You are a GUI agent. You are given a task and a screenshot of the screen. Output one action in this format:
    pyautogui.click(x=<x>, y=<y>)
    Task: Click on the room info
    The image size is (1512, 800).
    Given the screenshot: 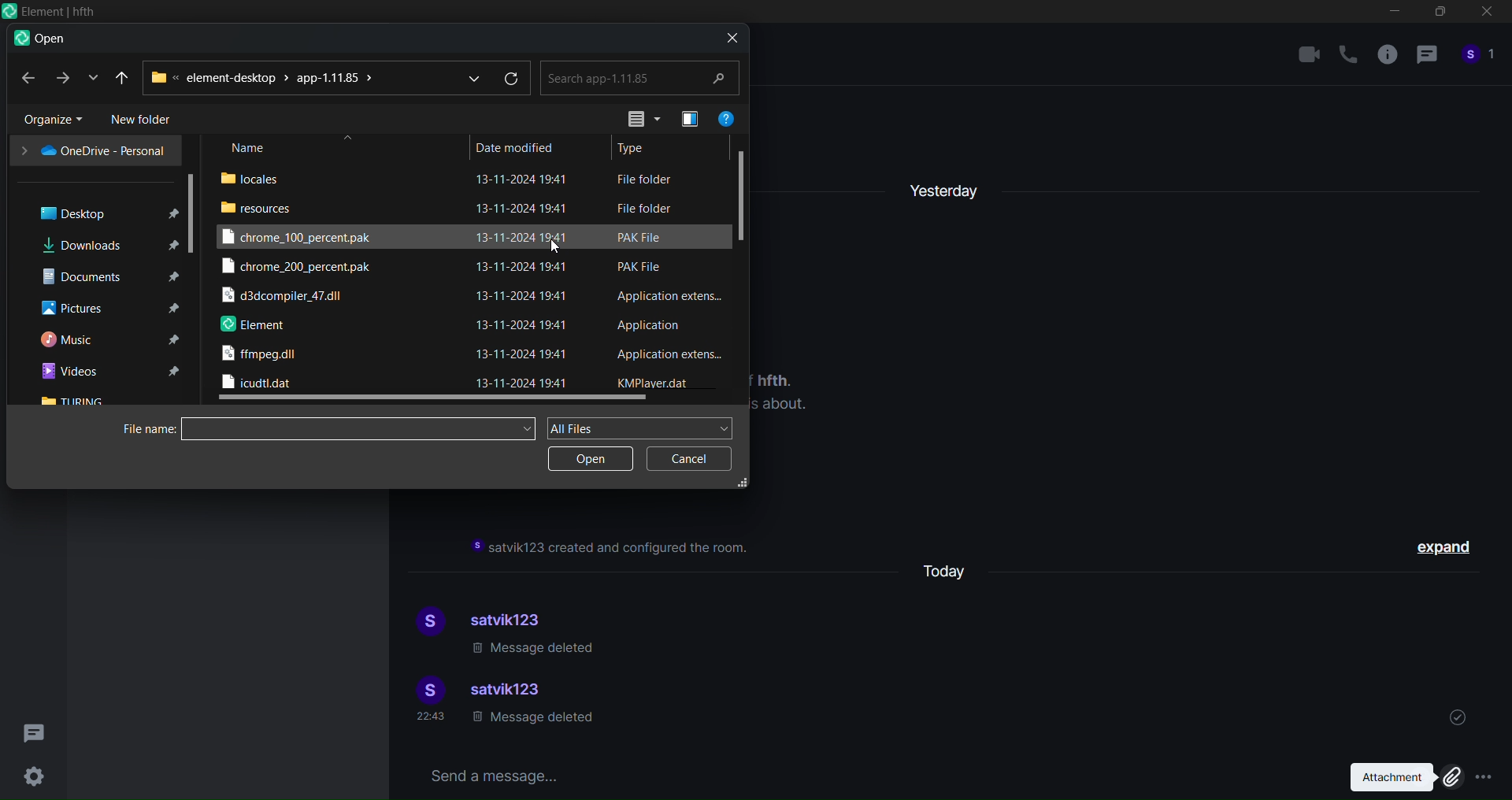 What is the action you would take?
    pyautogui.click(x=1384, y=58)
    